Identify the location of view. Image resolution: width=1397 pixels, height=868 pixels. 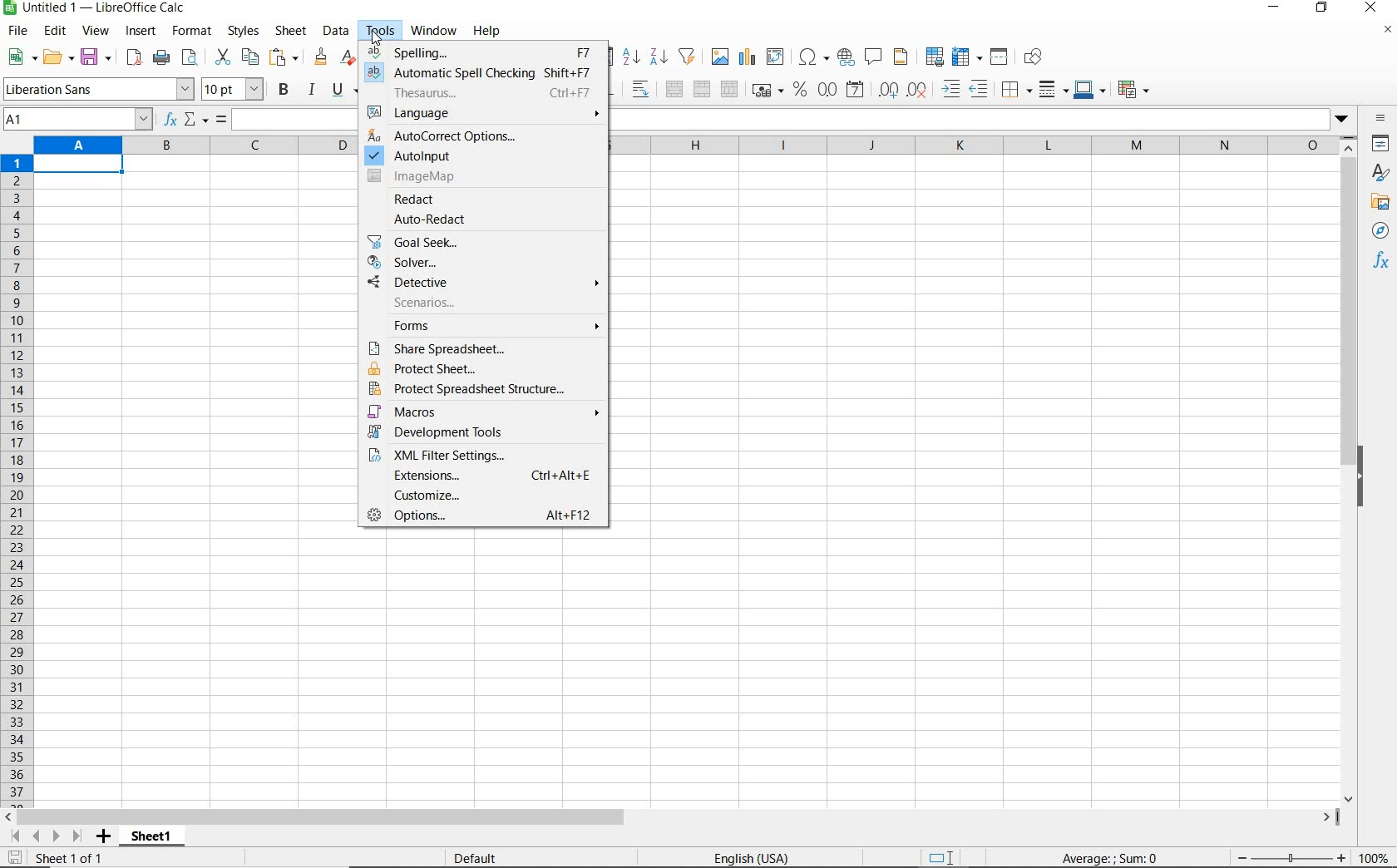
(96, 31).